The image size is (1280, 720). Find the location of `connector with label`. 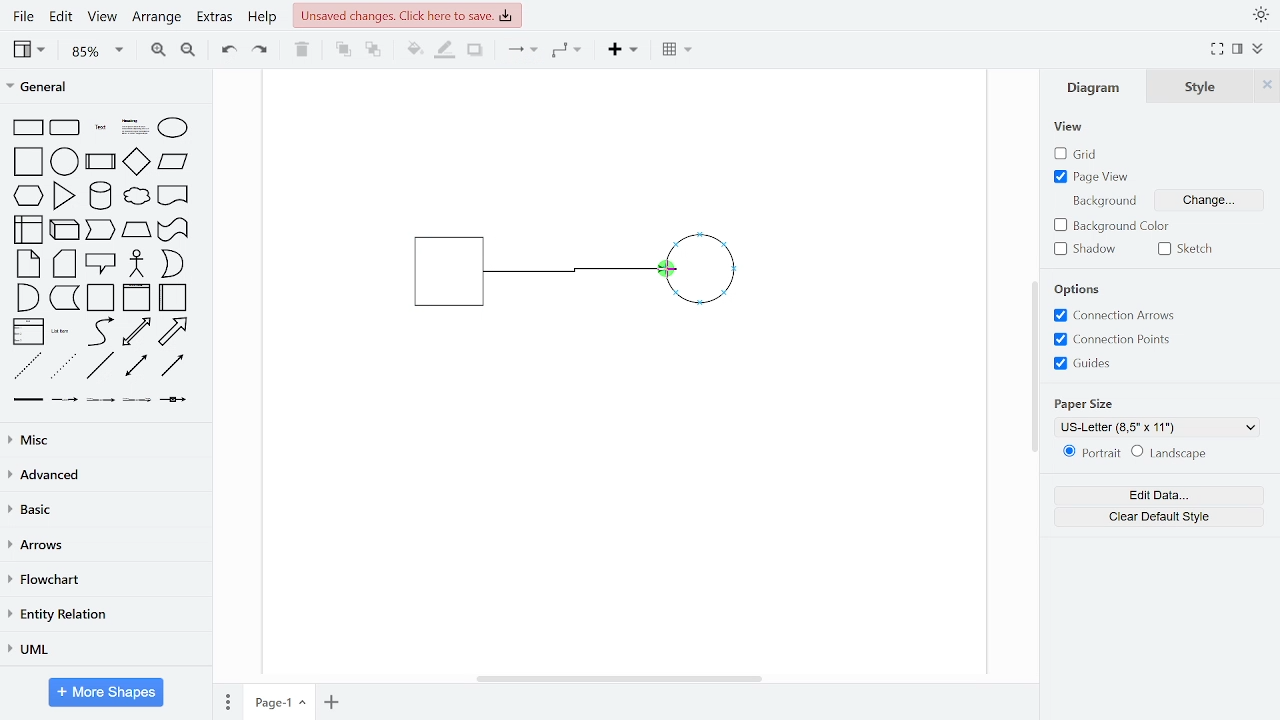

connector with label is located at coordinates (65, 400).